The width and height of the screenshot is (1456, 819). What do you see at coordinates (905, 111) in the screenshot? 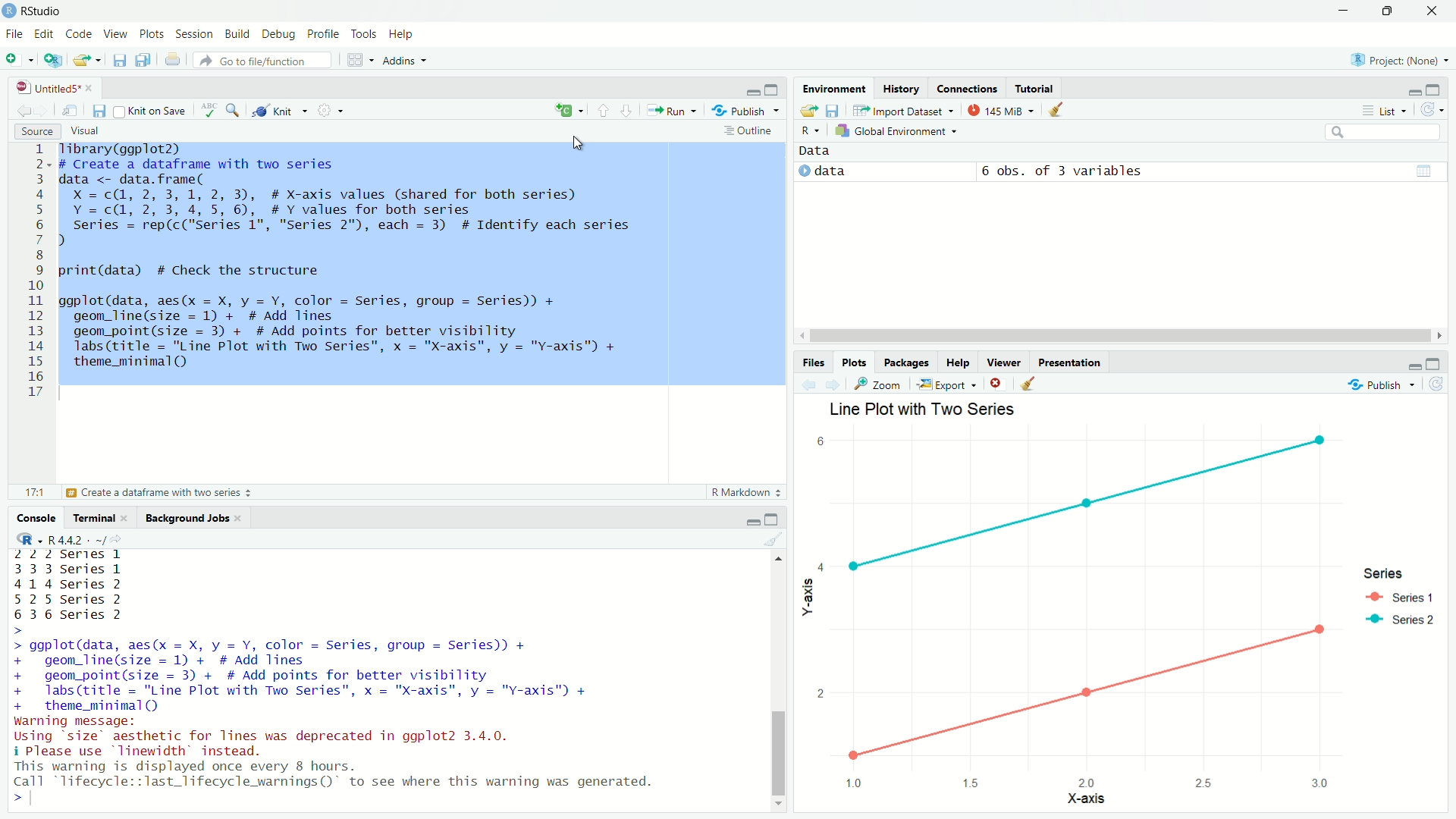
I see `Import Dataset` at bounding box center [905, 111].